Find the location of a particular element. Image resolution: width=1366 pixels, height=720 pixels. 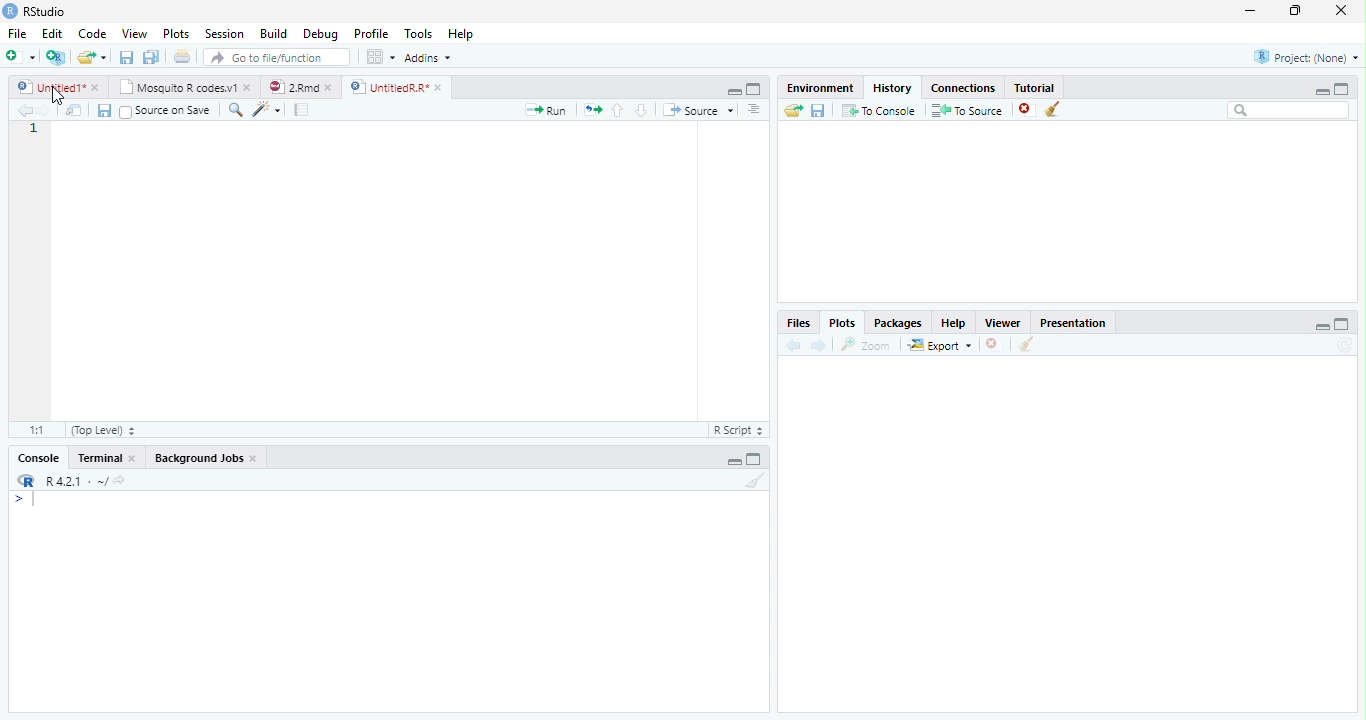

Plots is located at coordinates (175, 33).